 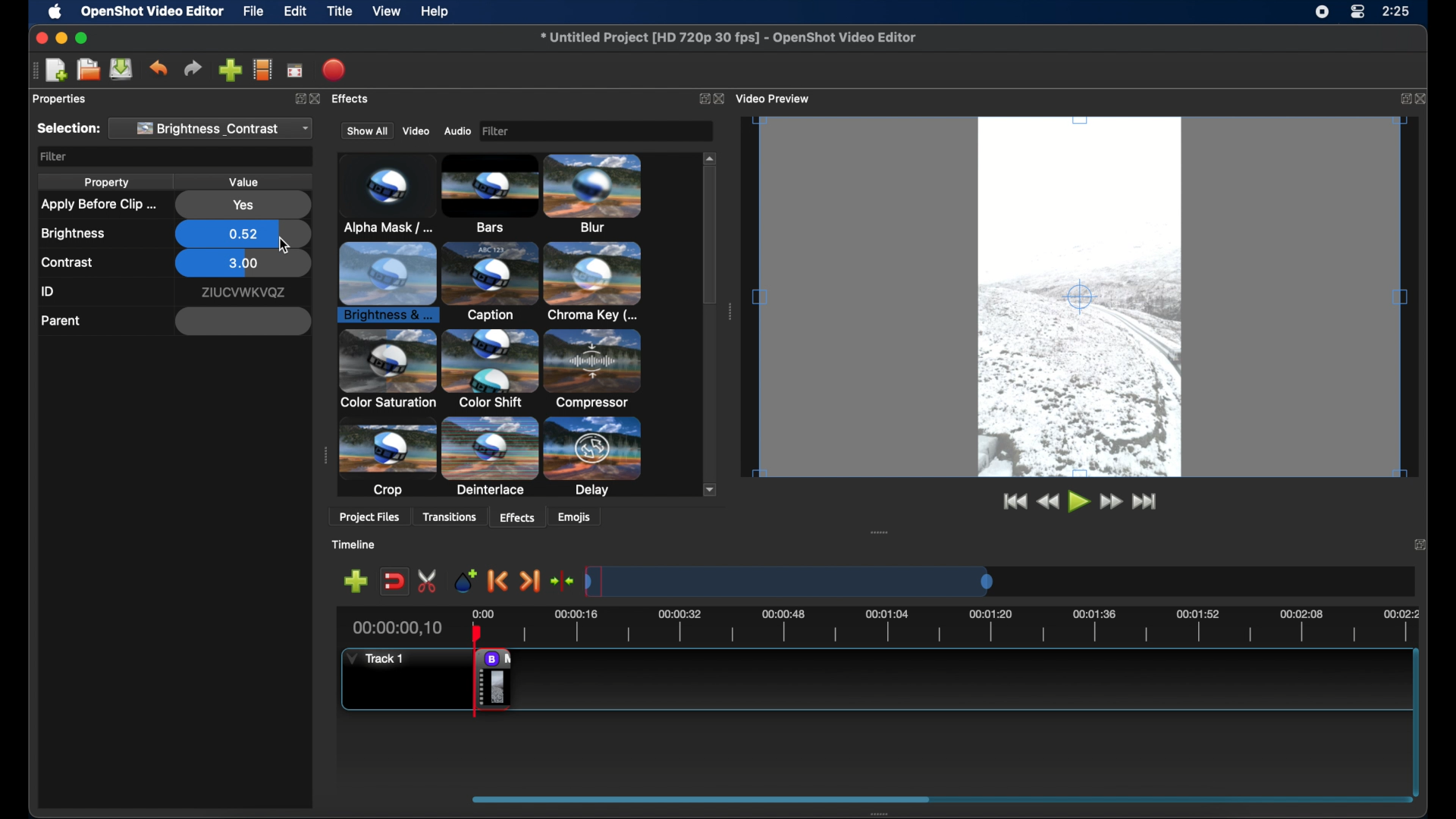 I want to click on selection:, so click(x=67, y=129).